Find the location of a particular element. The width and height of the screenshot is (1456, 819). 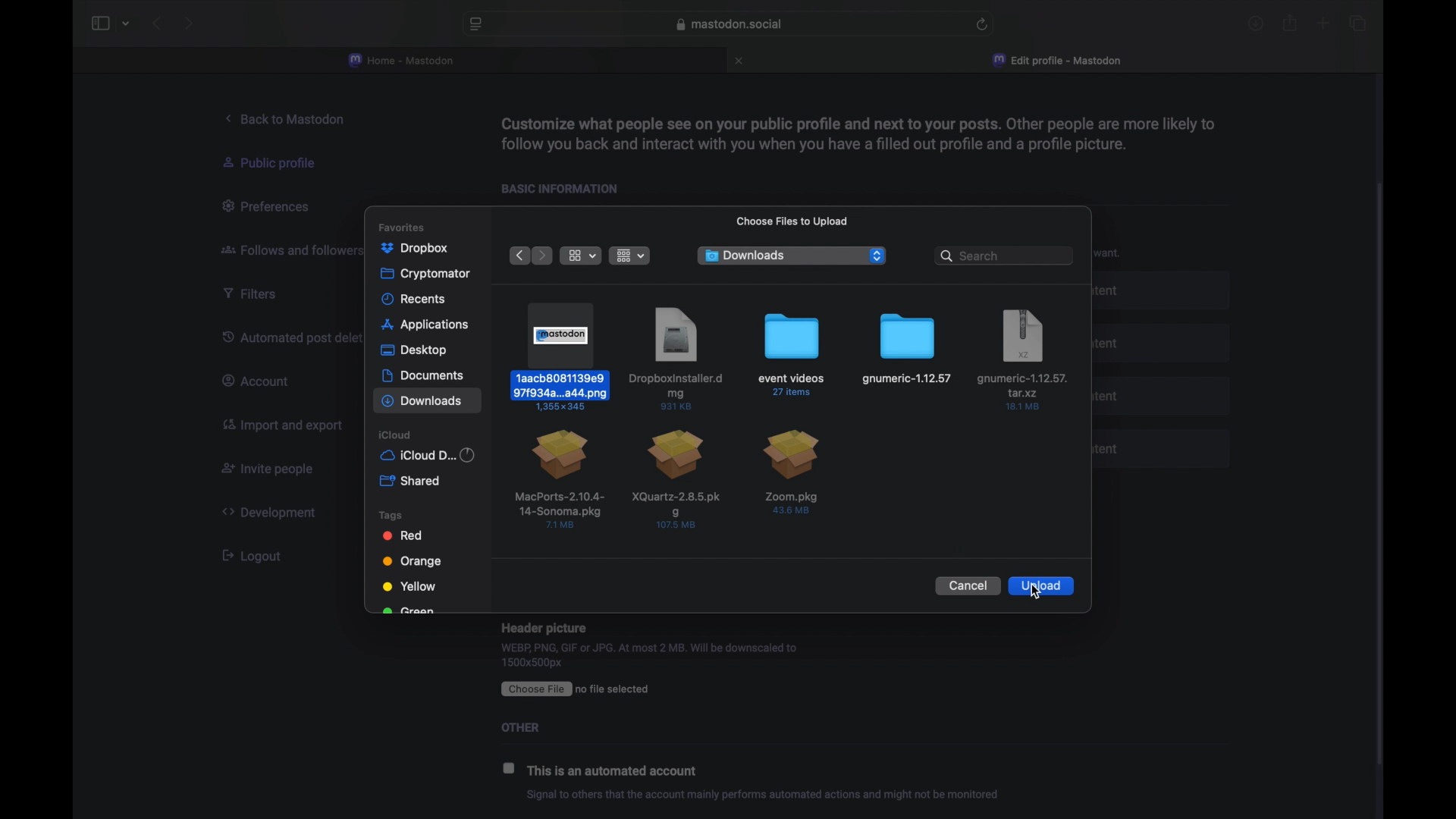

this is an automated account is located at coordinates (617, 772).